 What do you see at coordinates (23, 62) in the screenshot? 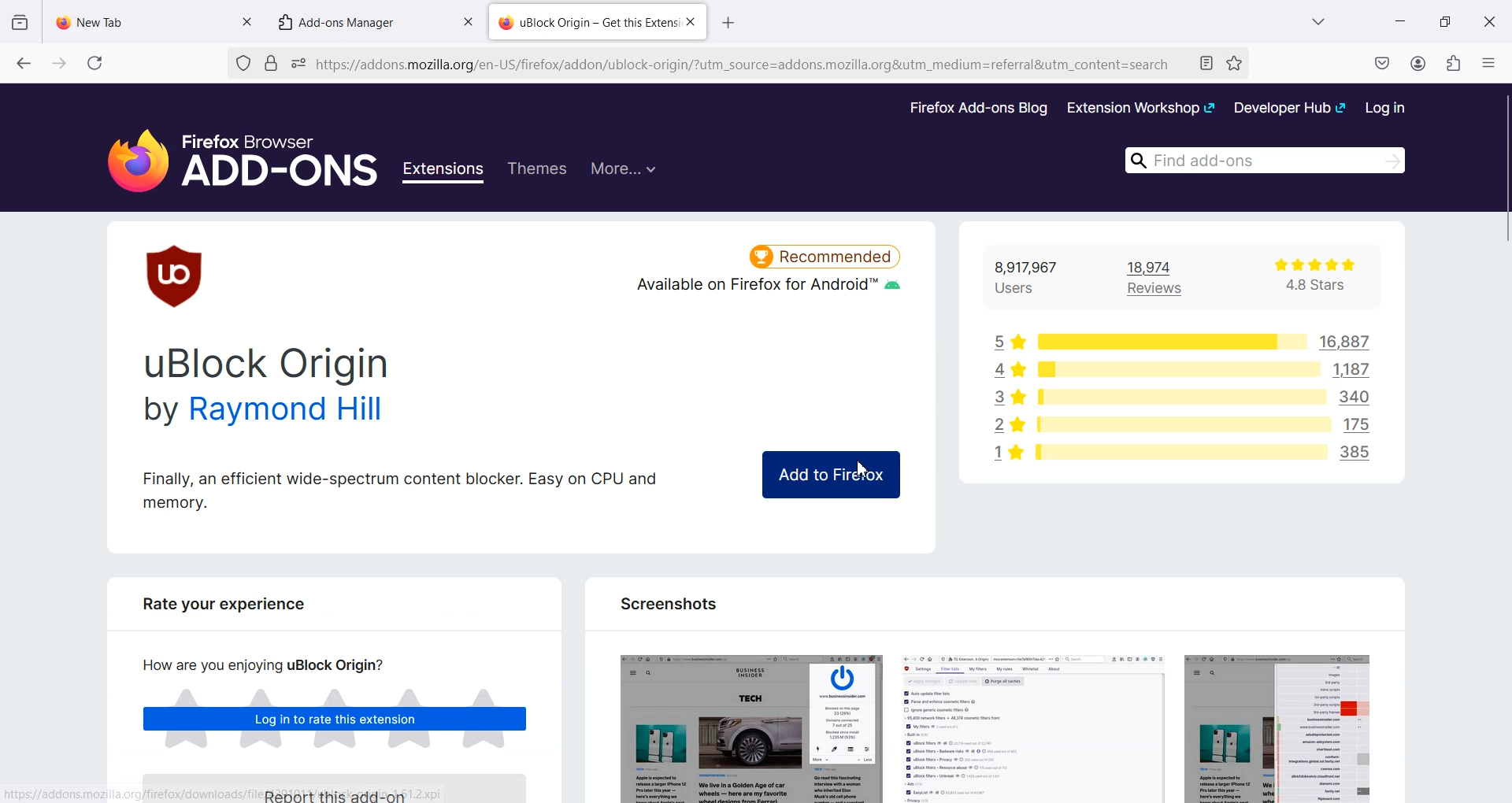
I see `Go back to one page` at bounding box center [23, 62].